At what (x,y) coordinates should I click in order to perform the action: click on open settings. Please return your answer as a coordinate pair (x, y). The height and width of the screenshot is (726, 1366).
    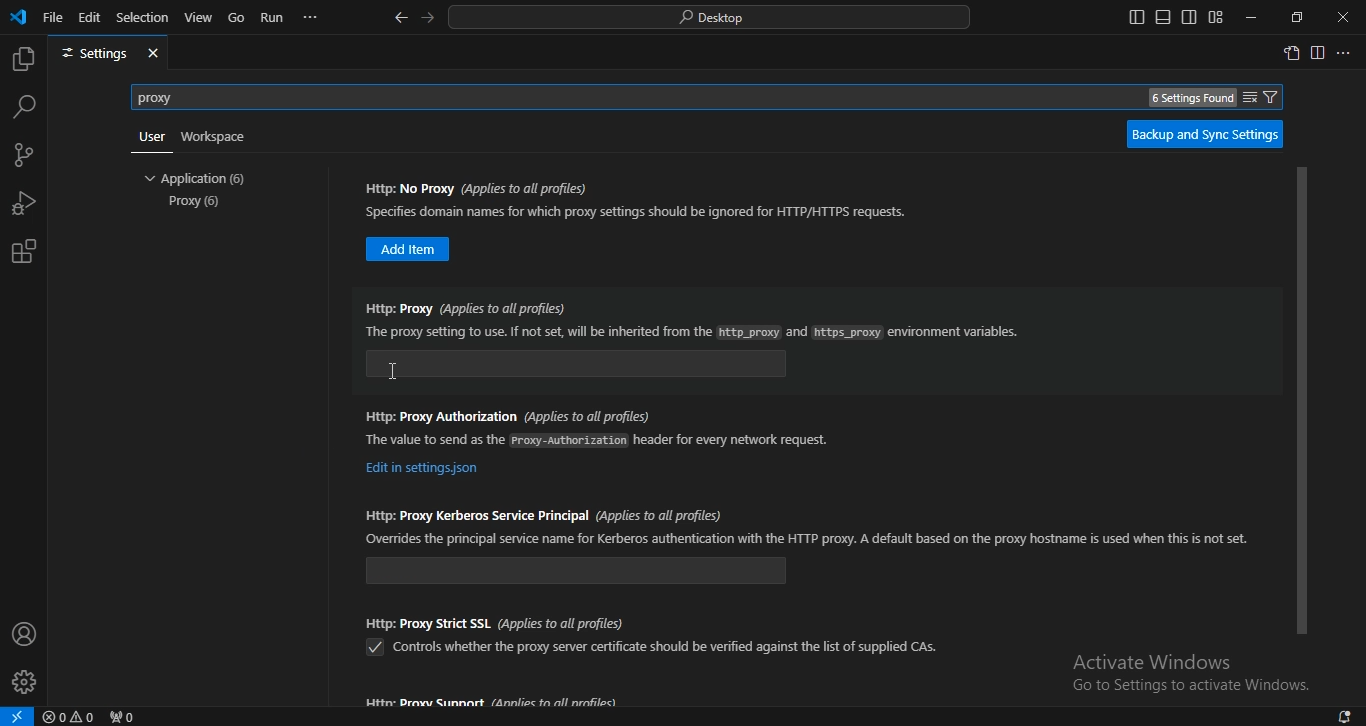
    Looking at the image, I should click on (1293, 55).